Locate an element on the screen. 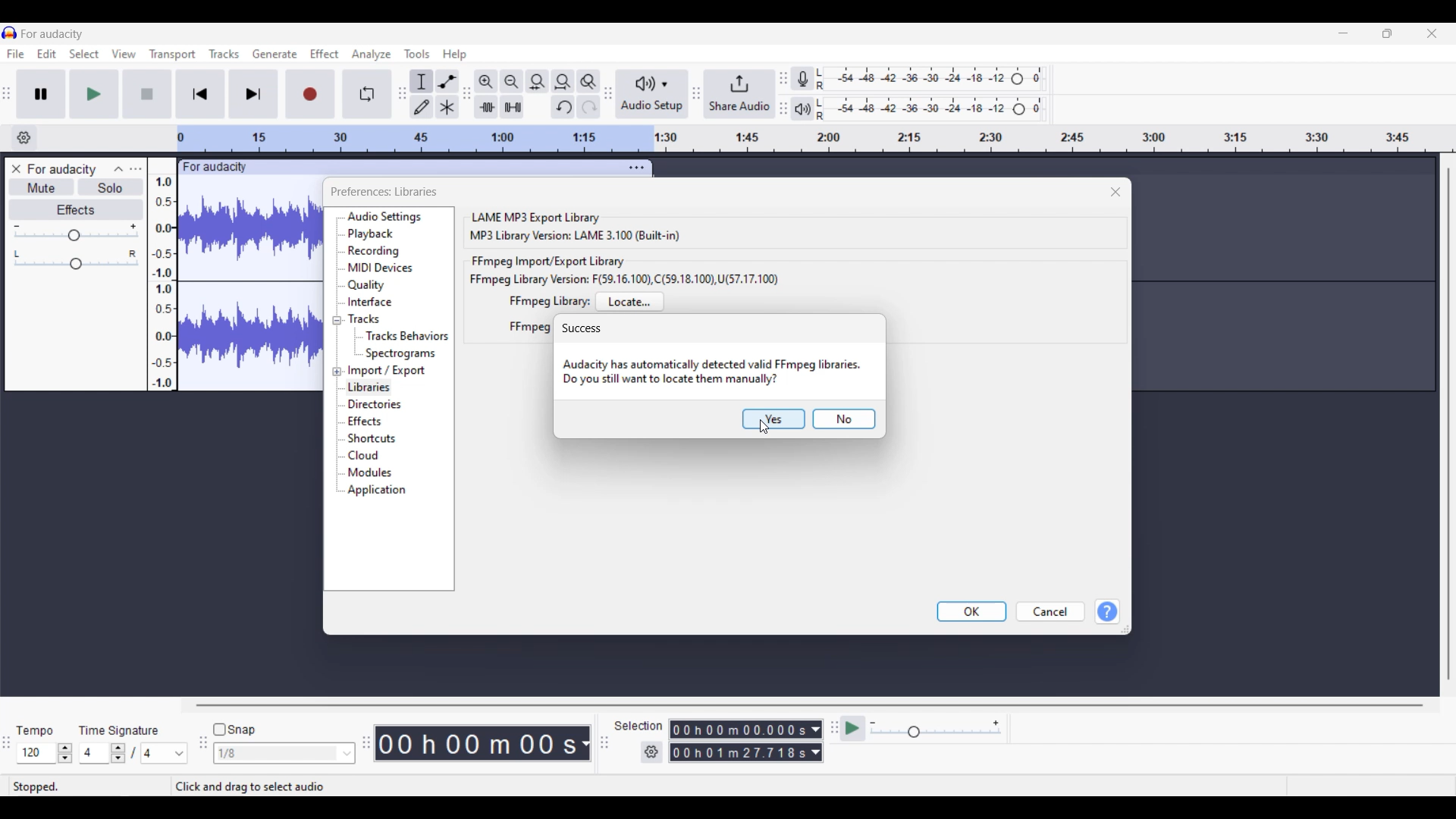  Close is located at coordinates (1116, 192).